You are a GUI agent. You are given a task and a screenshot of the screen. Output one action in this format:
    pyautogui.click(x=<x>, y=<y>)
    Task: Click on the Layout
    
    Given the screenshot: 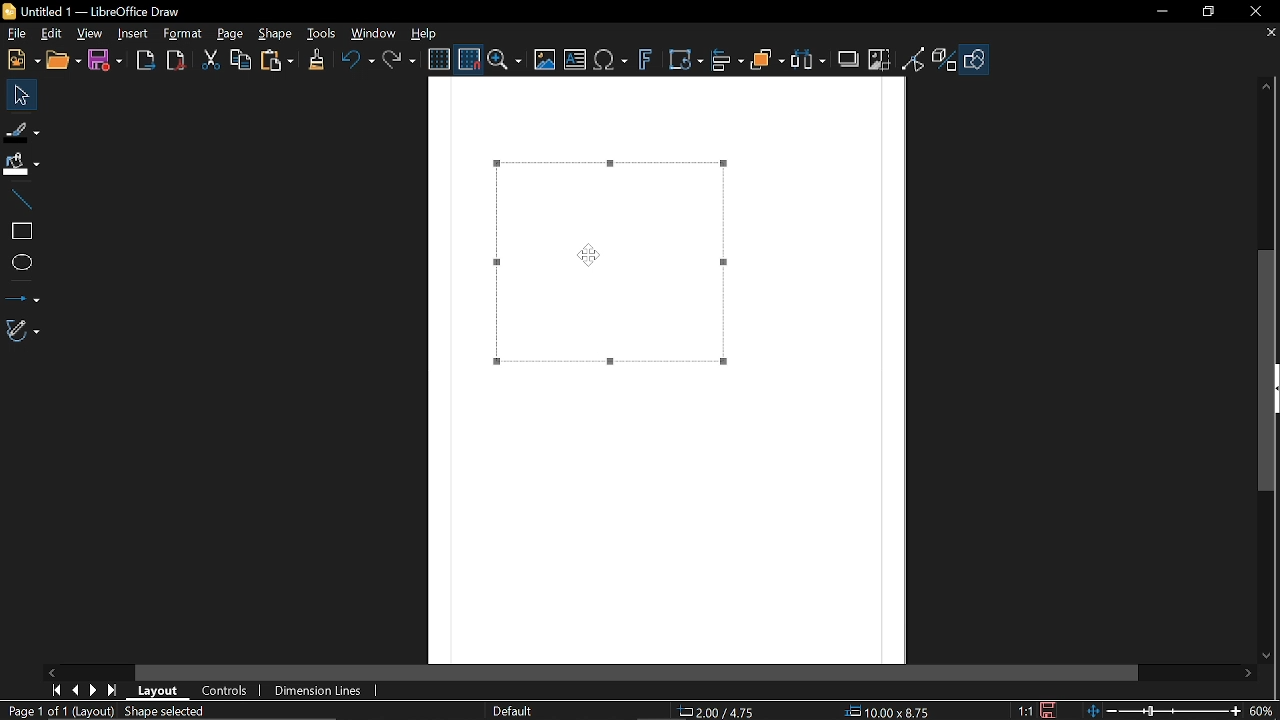 What is the action you would take?
    pyautogui.click(x=162, y=691)
    